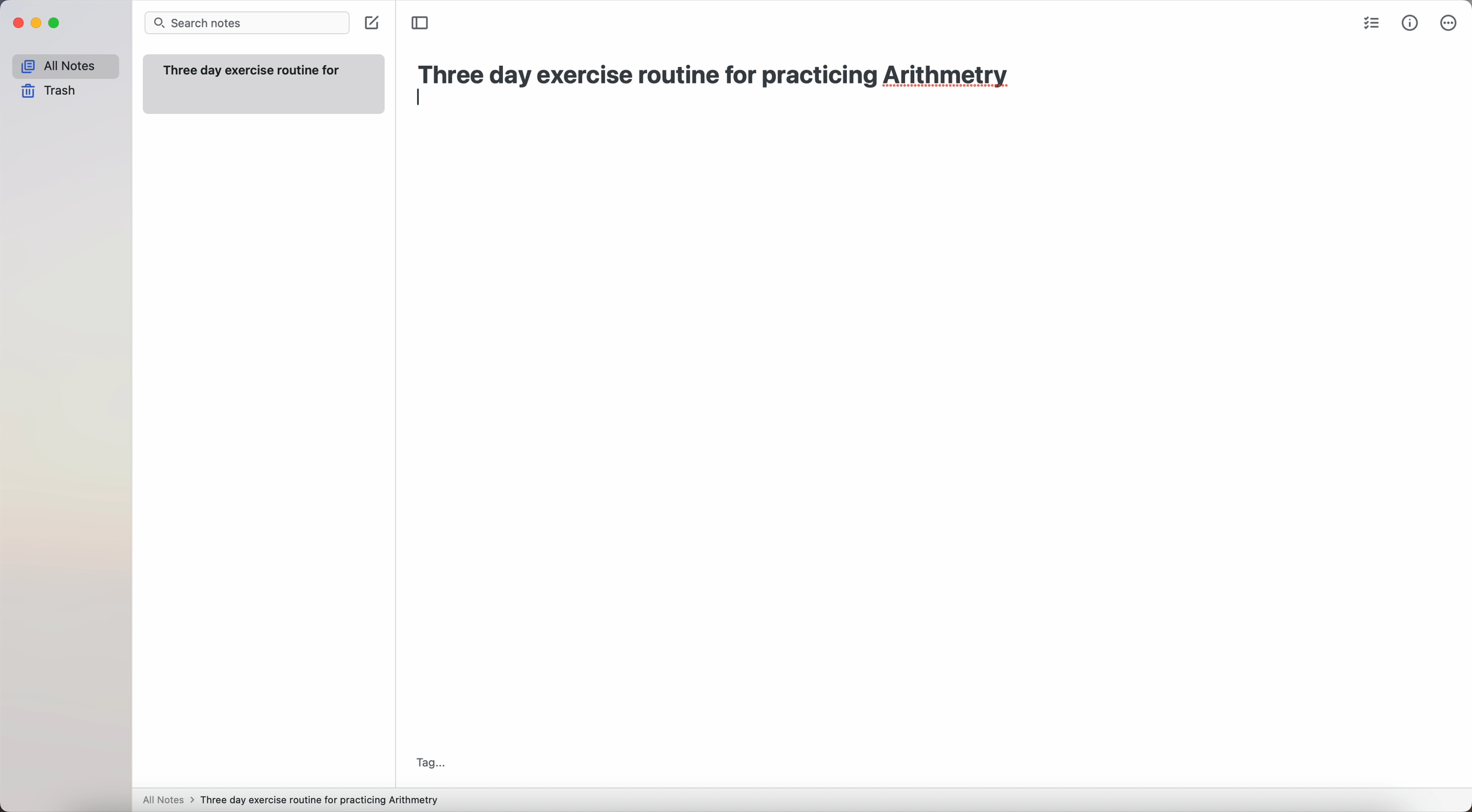  I want to click on maximize, so click(54, 23).